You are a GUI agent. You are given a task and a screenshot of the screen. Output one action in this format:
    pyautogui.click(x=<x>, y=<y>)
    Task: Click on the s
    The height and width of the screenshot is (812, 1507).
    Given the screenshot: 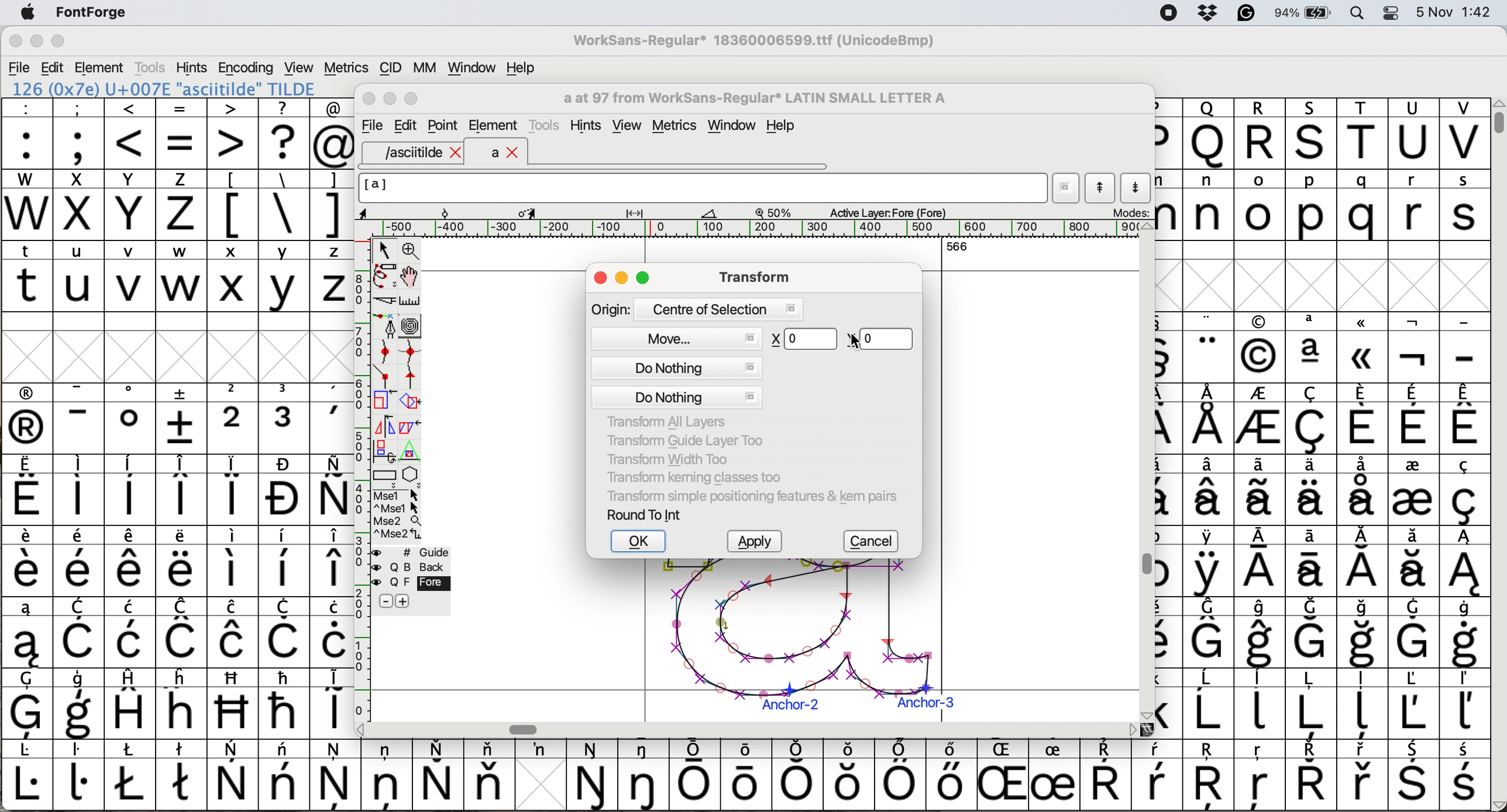 What is the action you would take?
    pyautogui.click(x=1465, y=205)
    